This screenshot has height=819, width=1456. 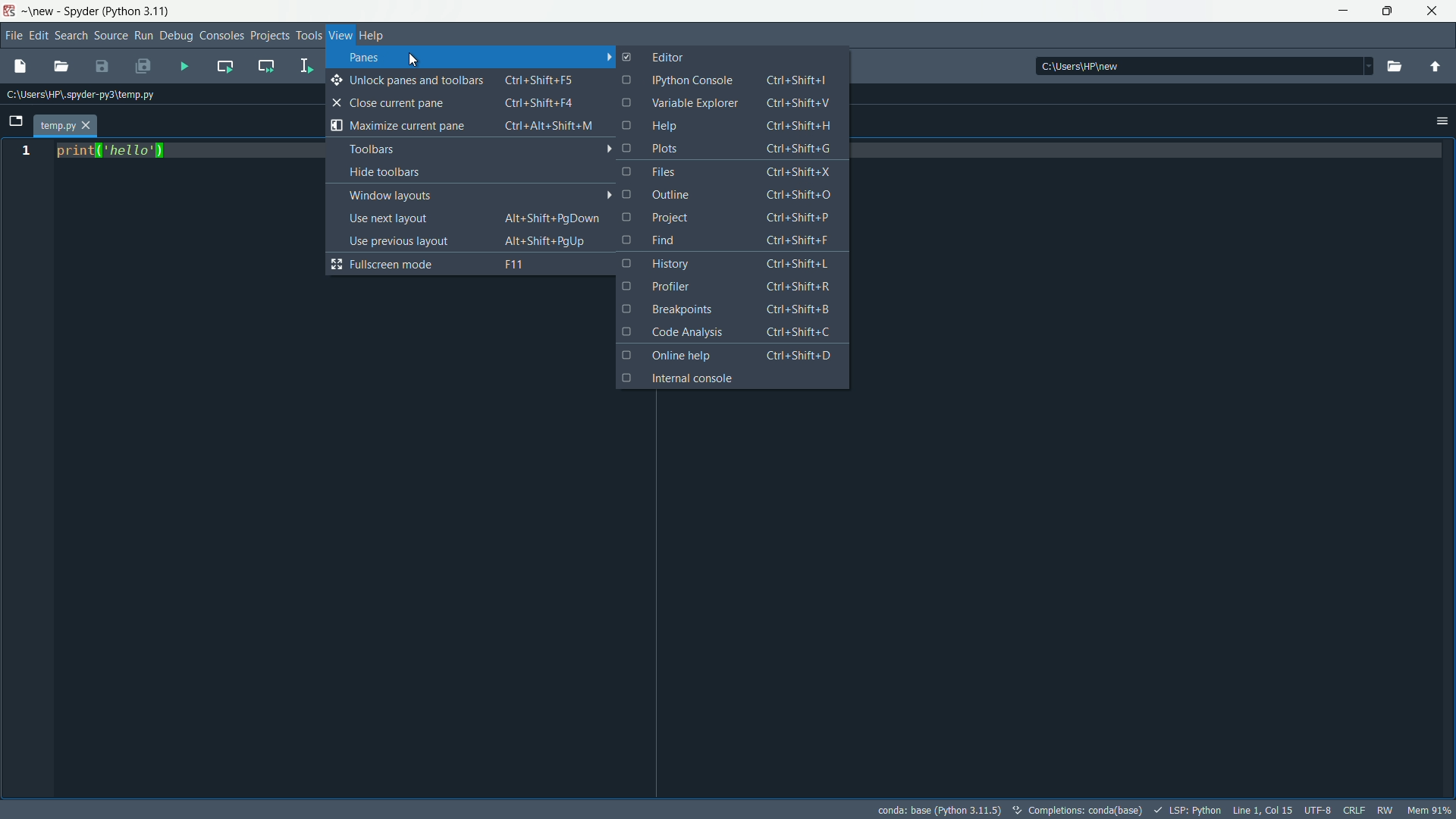 I want to click on breakpoints, so click(x=732, y=308).